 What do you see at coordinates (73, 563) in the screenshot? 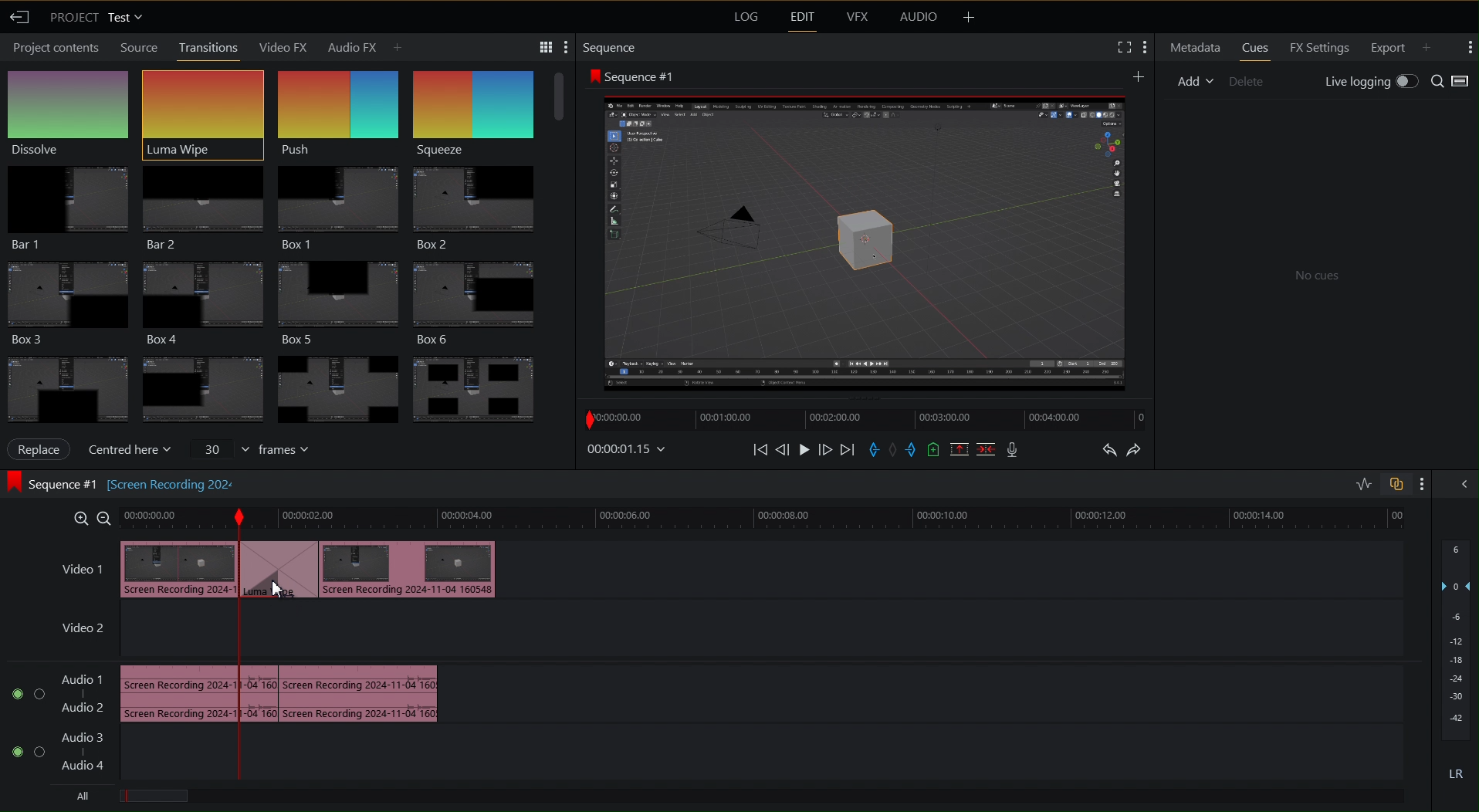
I see `Video 1` at bounding box center [73, 563].